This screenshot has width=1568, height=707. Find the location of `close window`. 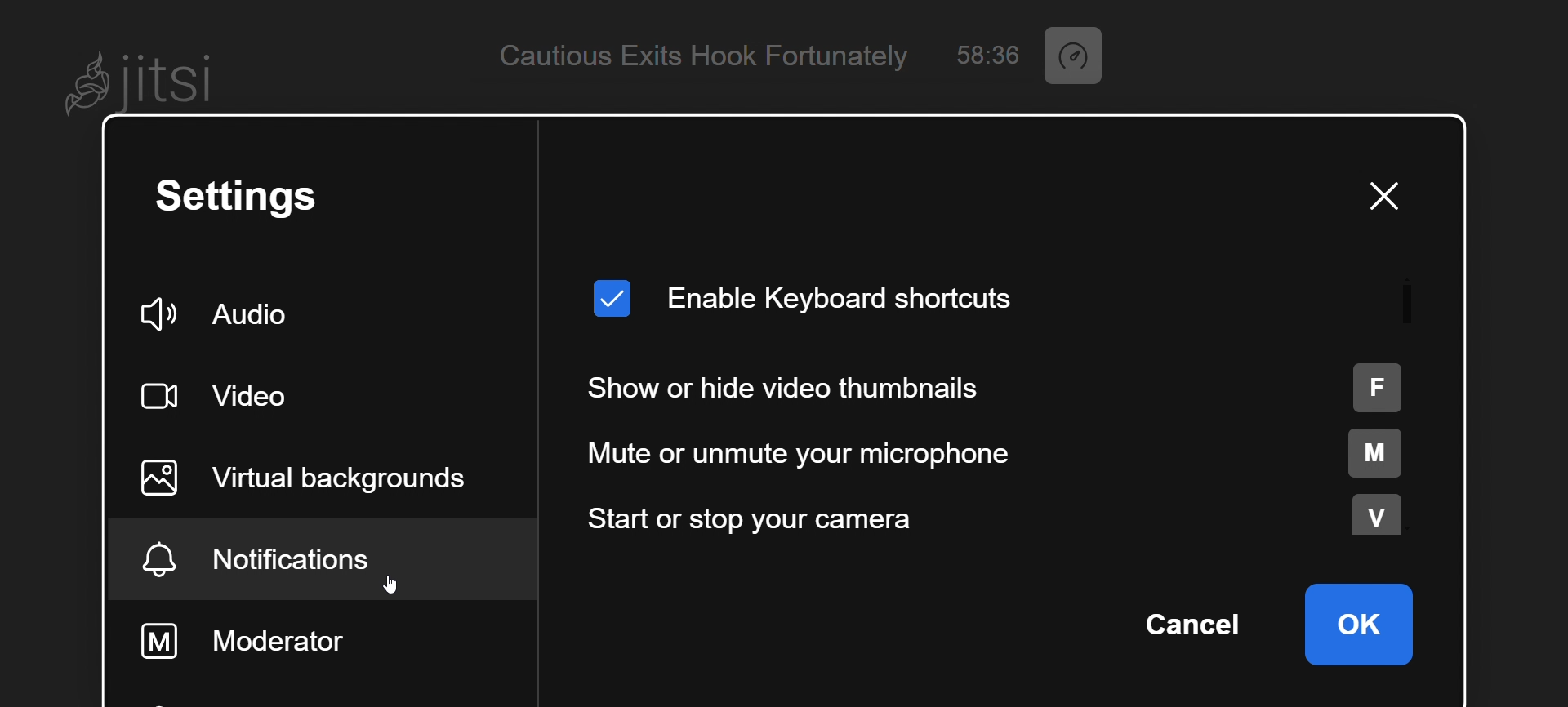

close window is located at coordinates (1380, 198).